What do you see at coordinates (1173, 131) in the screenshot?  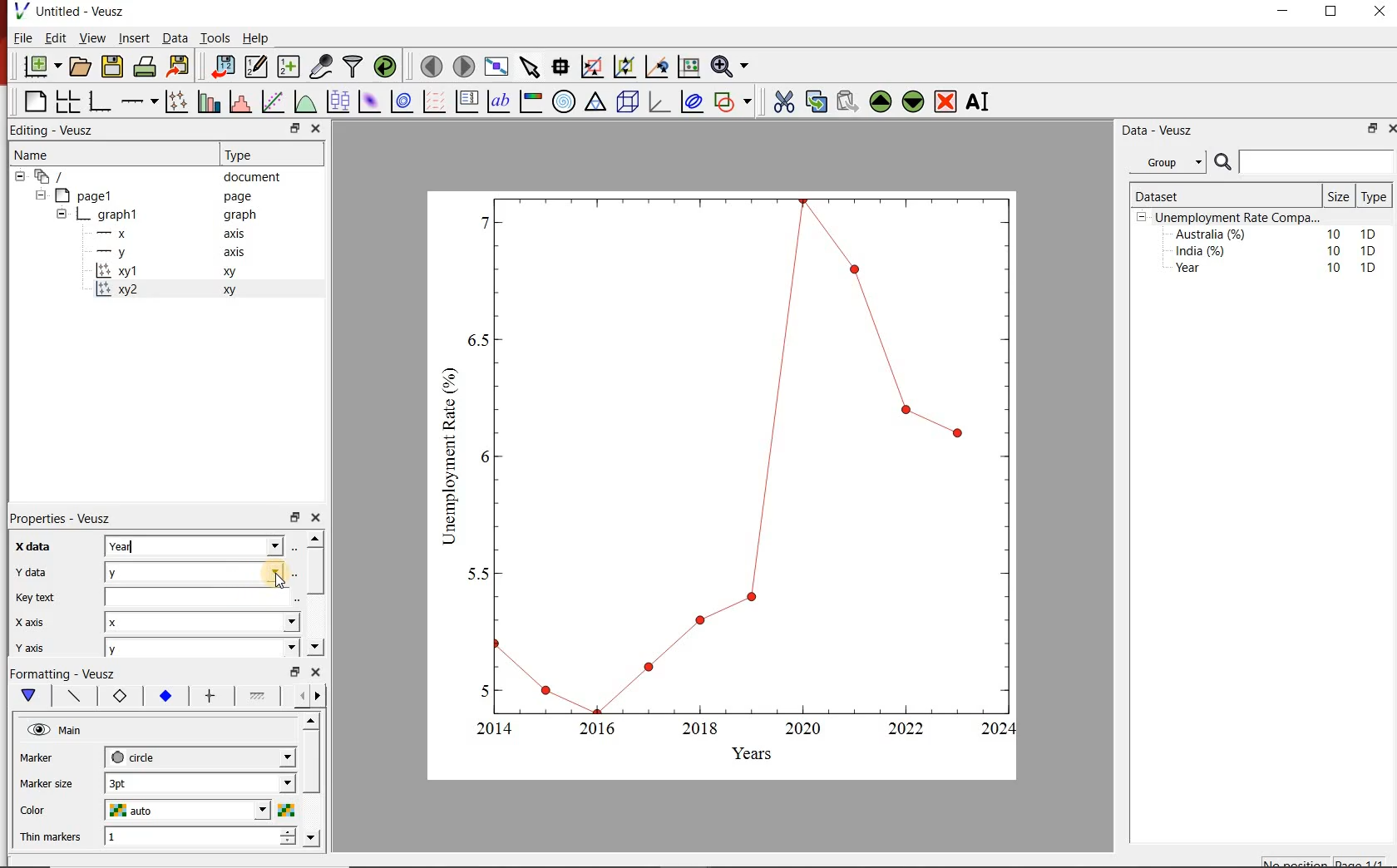 I see `Data - Veusz` at bounding box center [1173, 131].